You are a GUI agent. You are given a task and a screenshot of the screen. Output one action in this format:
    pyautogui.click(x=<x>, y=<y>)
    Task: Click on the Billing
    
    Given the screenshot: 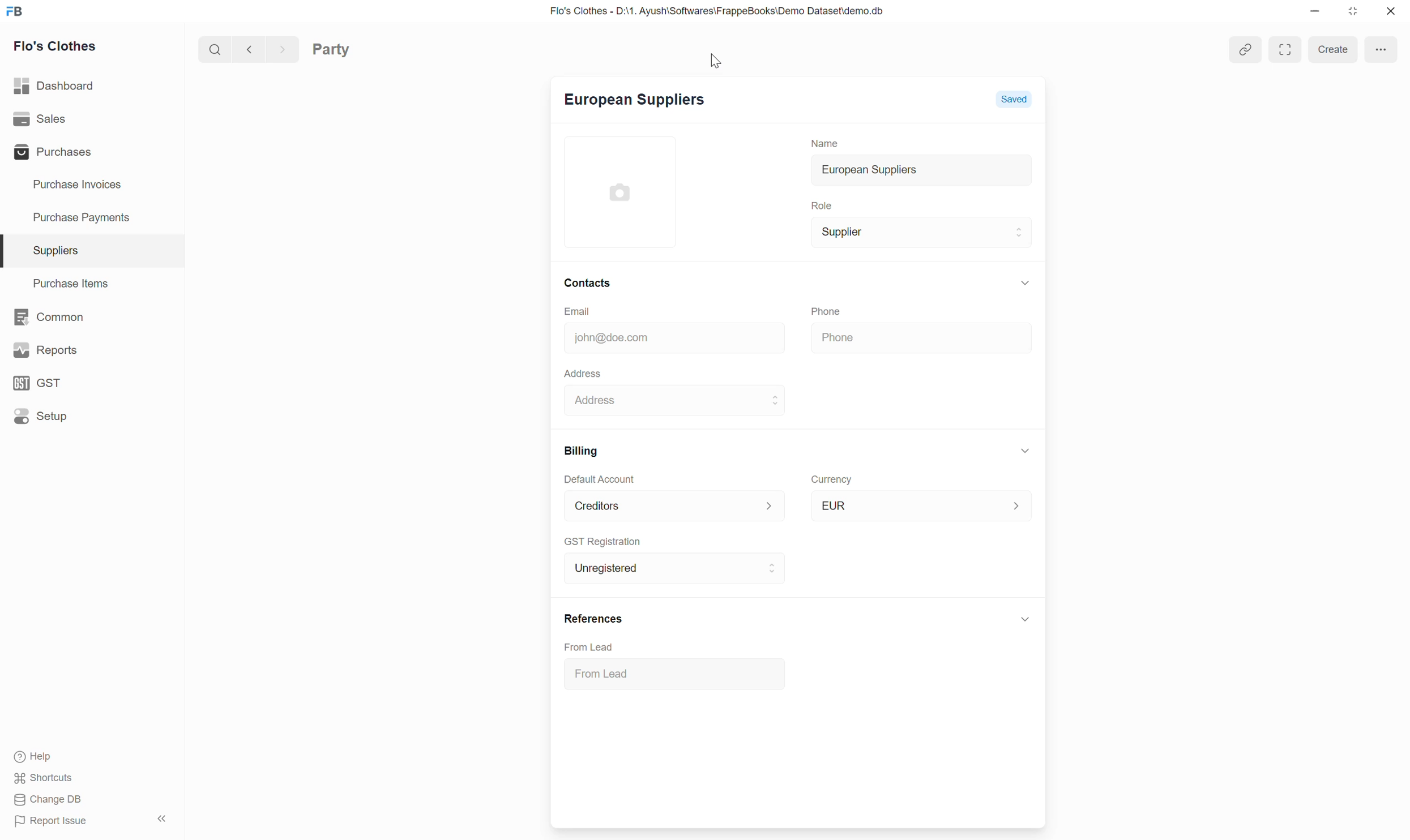 What is the action you would take?
    pyautogui.click(x=576, y=449)
    